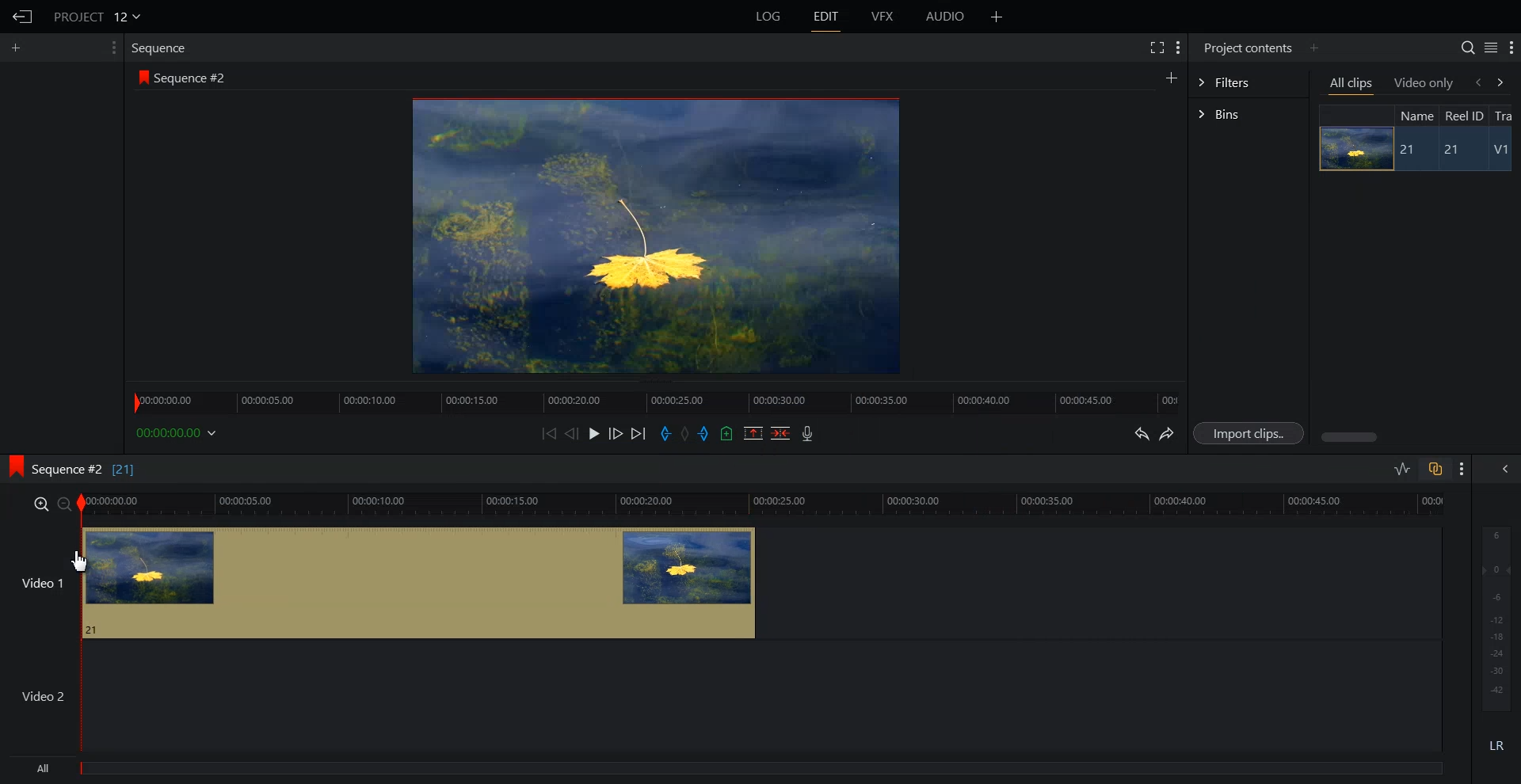 The height and width of the screenshot is (784, 1521). What do you see at coordinates (1171, 77) in the screenshot?
I see `Add panel` at bounding box center [1171, 77].